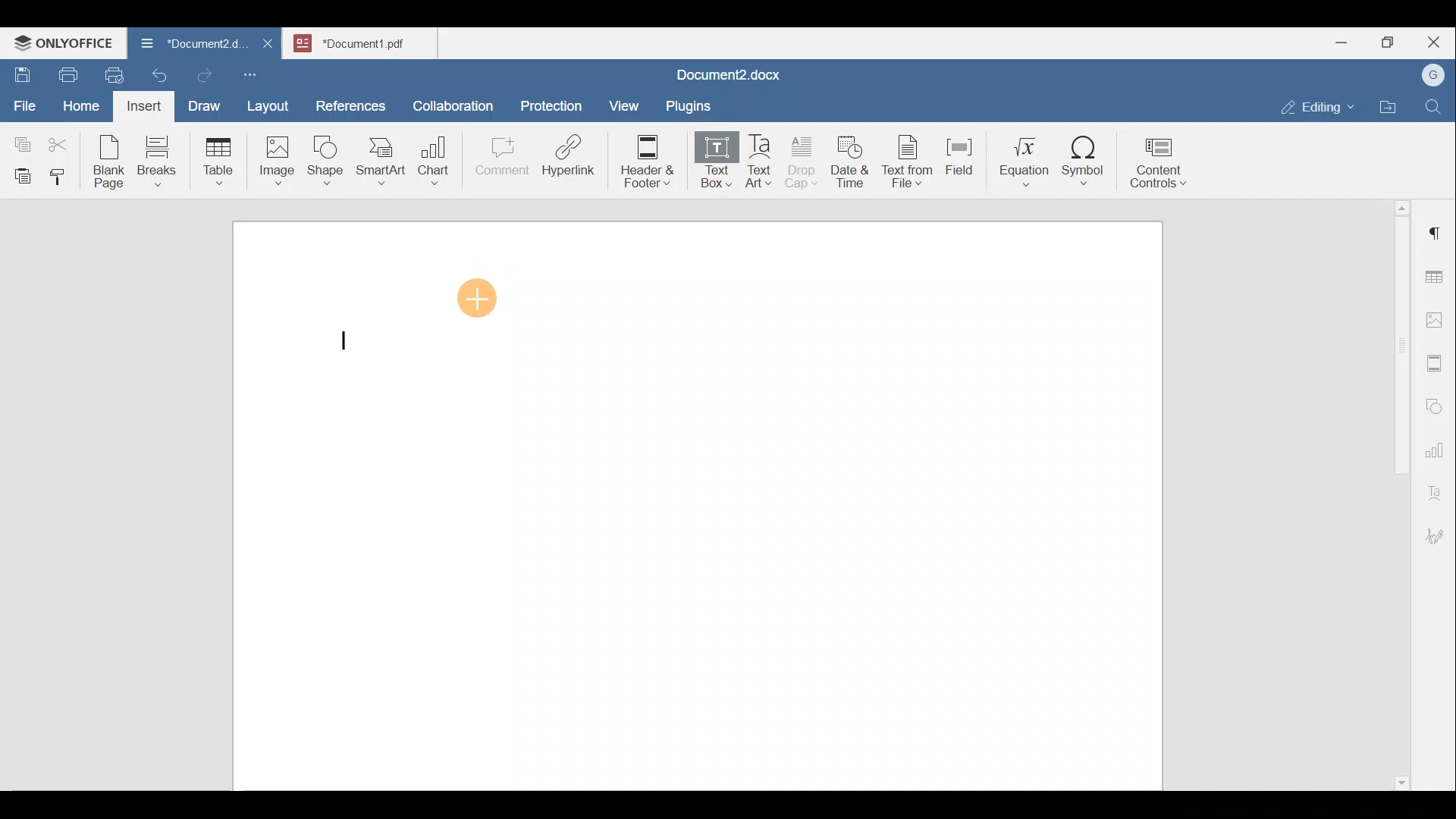 The image size is (1456, 819). What do you see at coordinates (642, 160) in the screenshot?
I see `Header & footer` at bounding box center [642, 160].